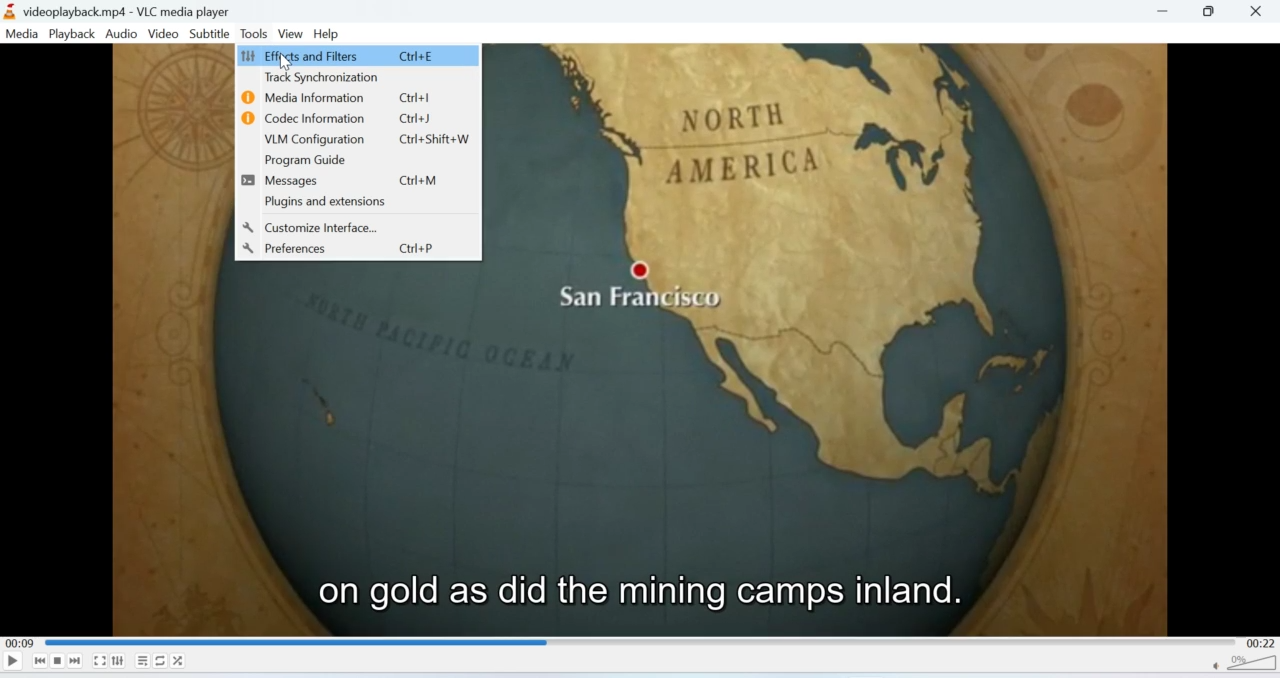  Describe the element at coordinates (117, 660) in the screenshot. I see `Extended settings` at that location.